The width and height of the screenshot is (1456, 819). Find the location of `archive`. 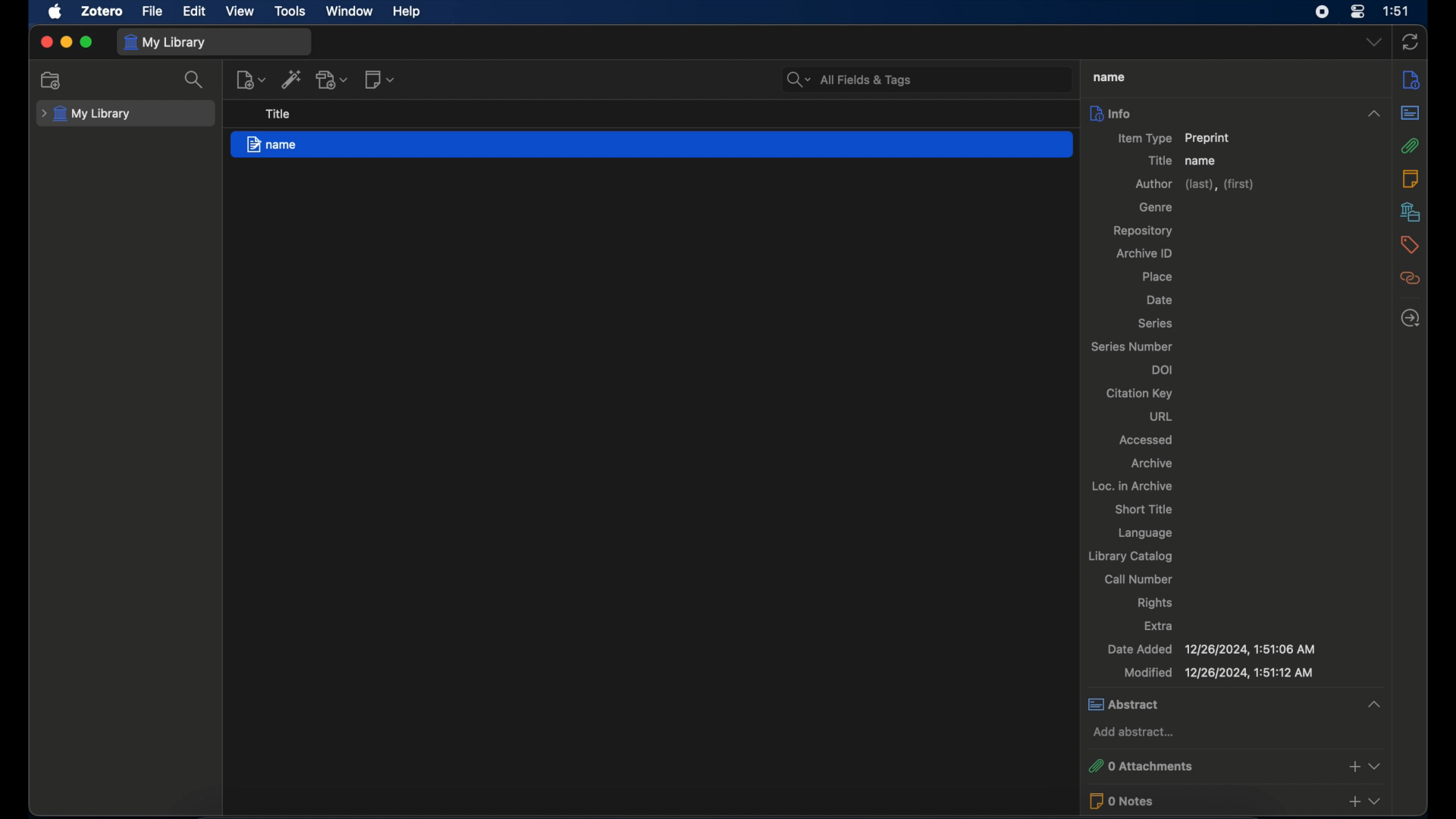

archive is located at coordinates (1154, 464).